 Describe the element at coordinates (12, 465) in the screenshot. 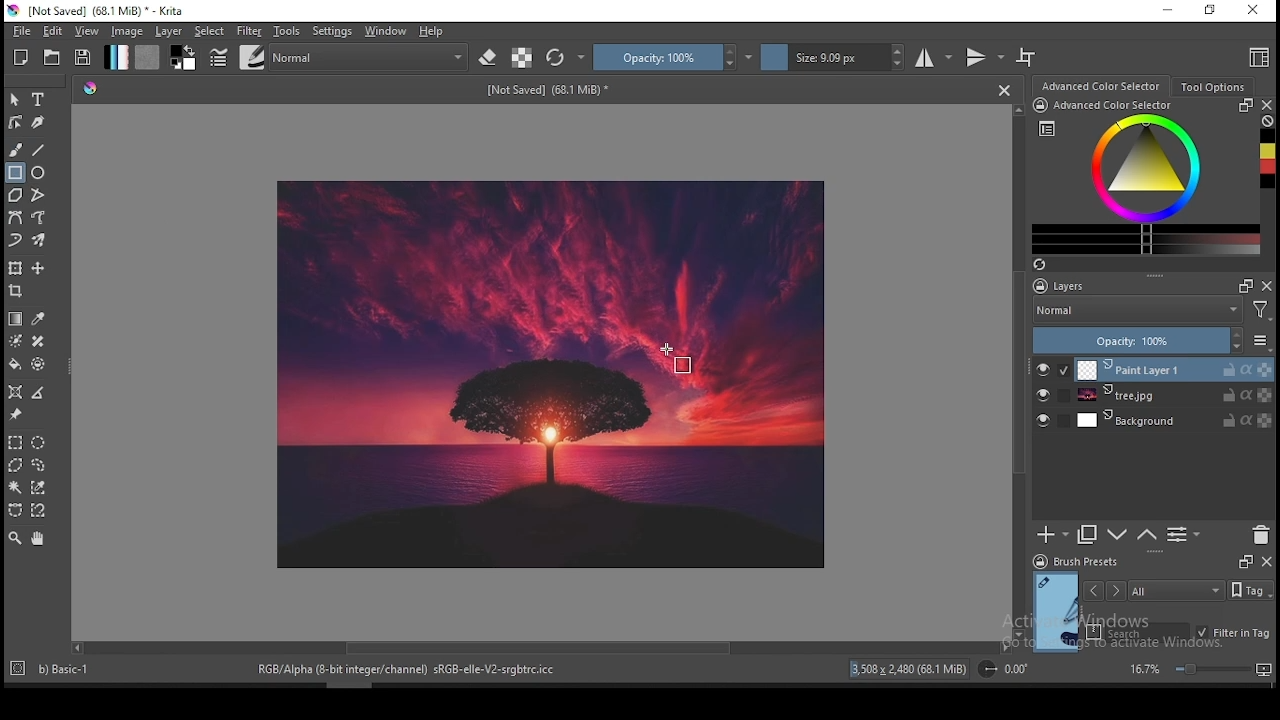

I see `polygon selection tool` at that location.